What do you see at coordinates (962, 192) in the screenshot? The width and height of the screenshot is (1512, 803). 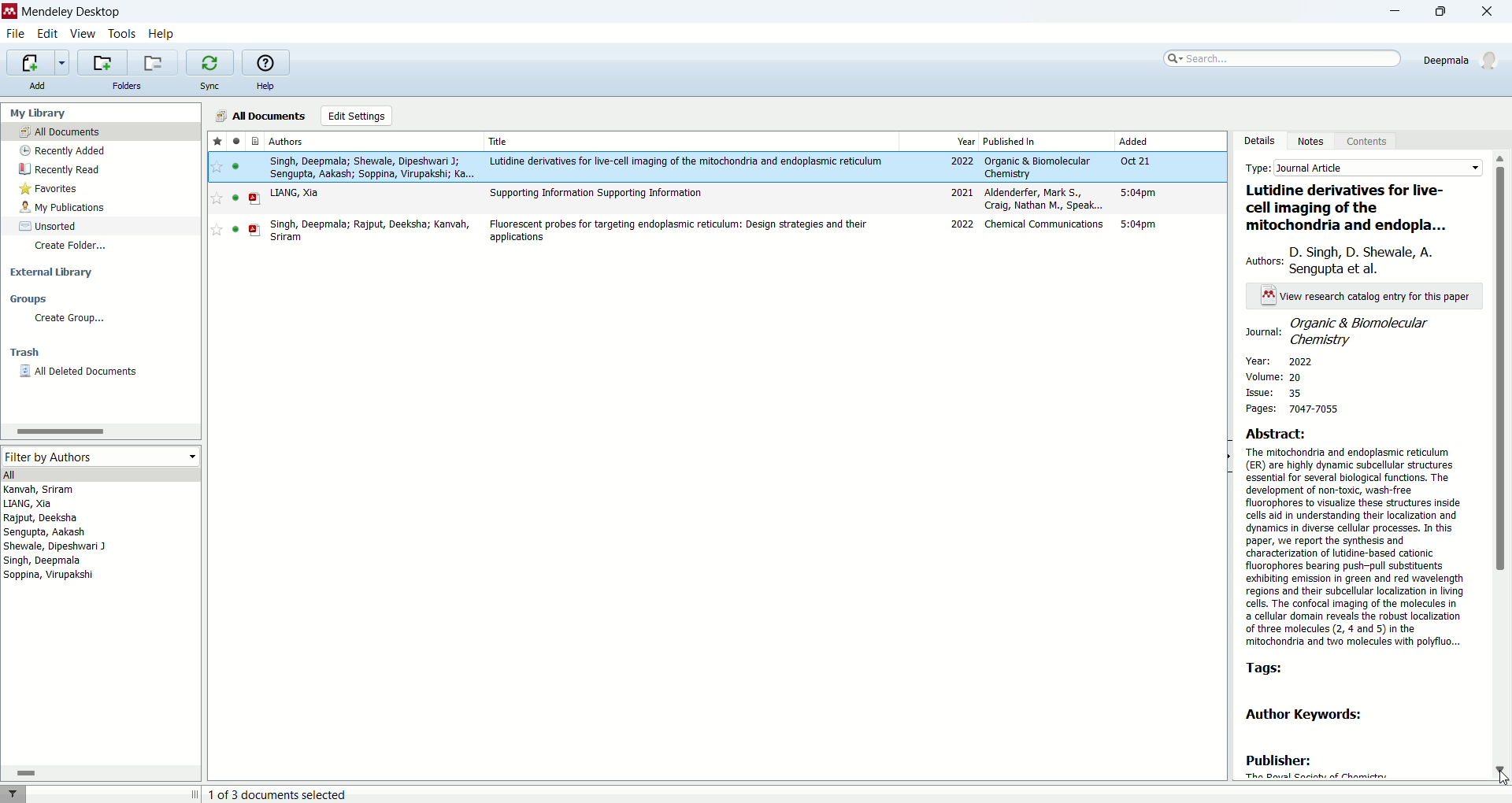 I see `2021` at bounding box center [962, 192].